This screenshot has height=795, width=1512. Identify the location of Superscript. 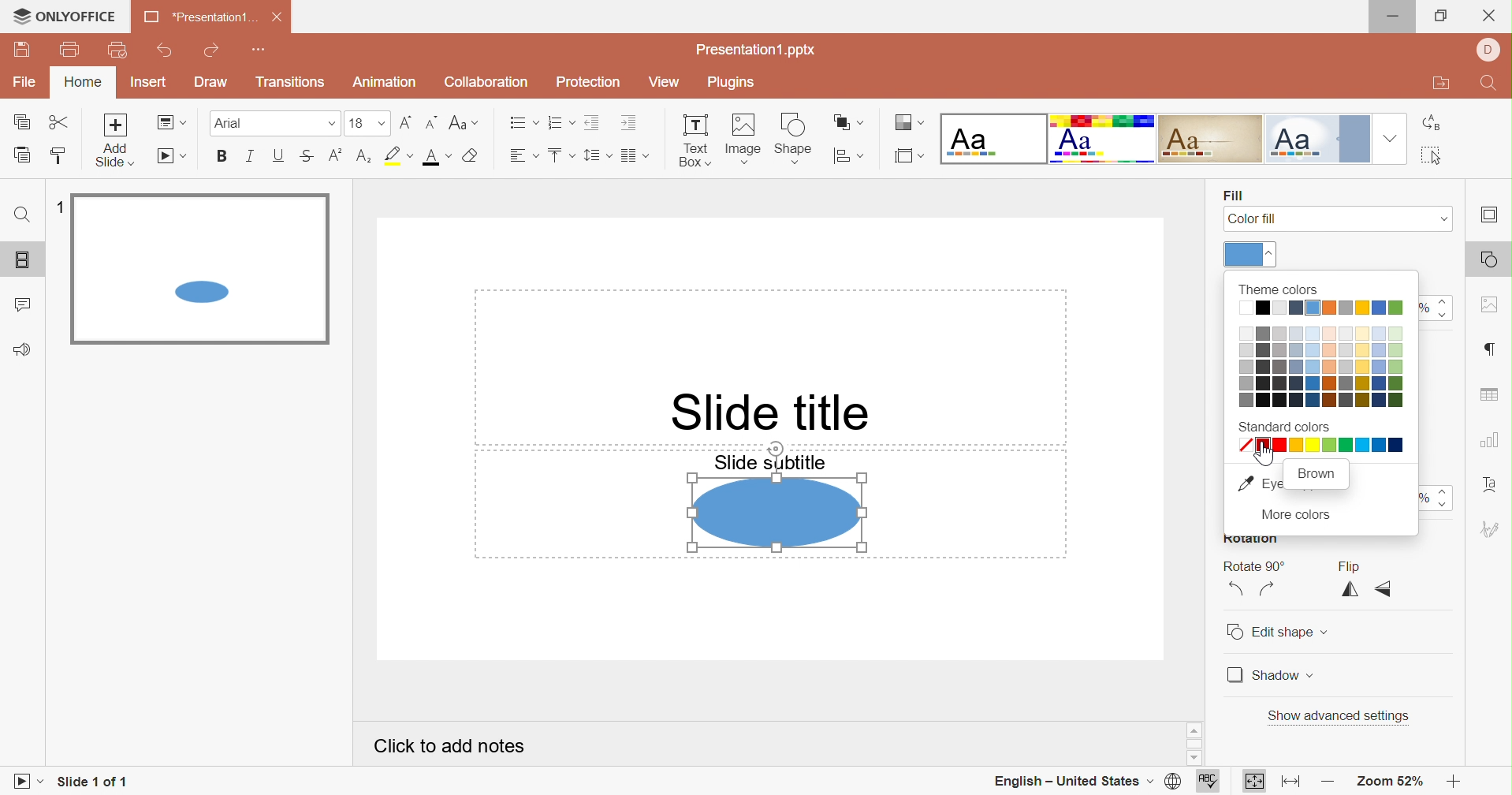
(337, 155).